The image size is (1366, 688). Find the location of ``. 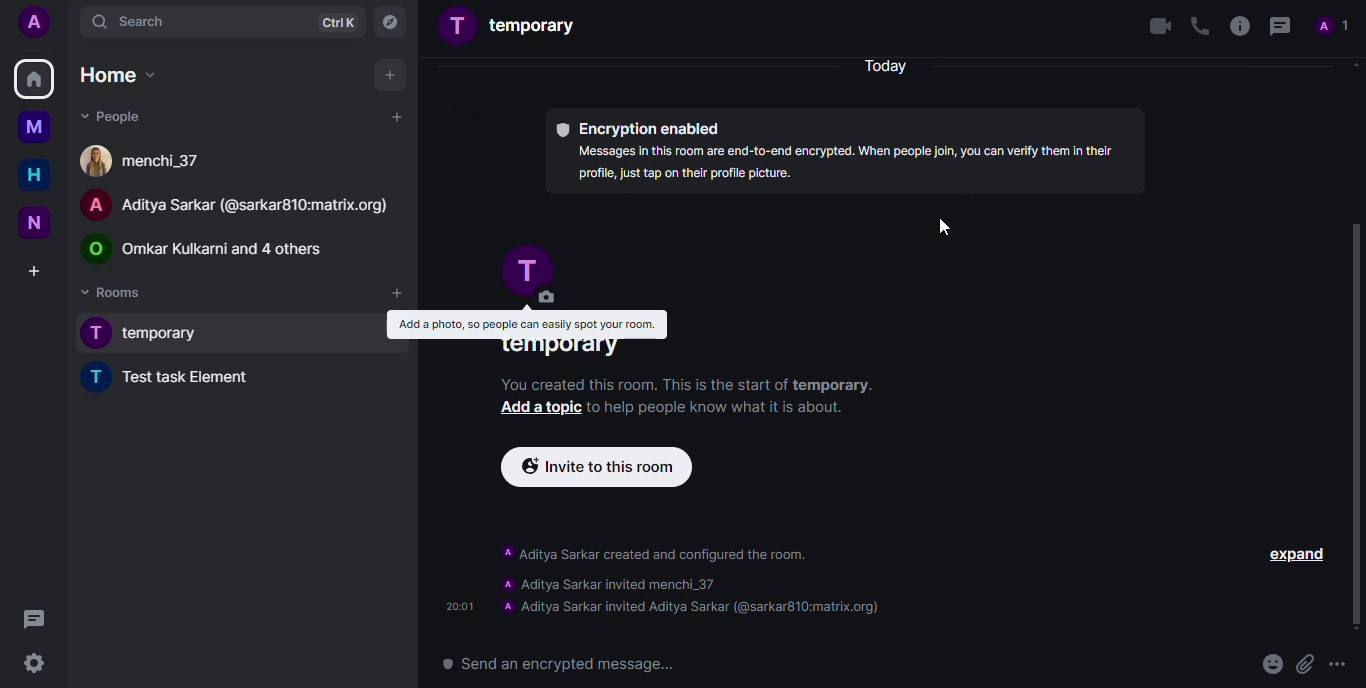

 is located at coordinates (34, 617).